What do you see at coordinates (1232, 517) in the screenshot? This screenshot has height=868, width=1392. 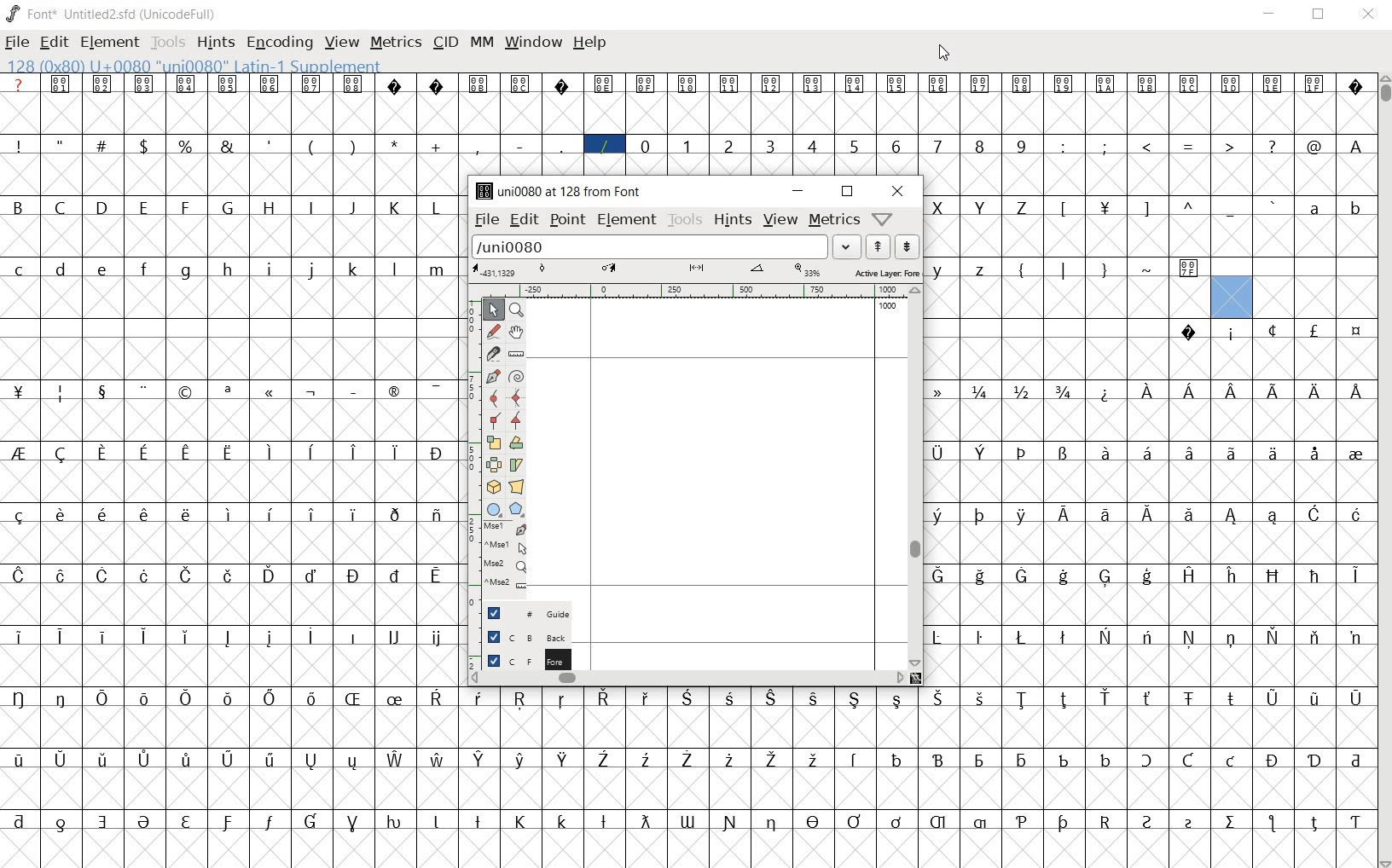 I see `glyph` at bounding box center [1232, 517].